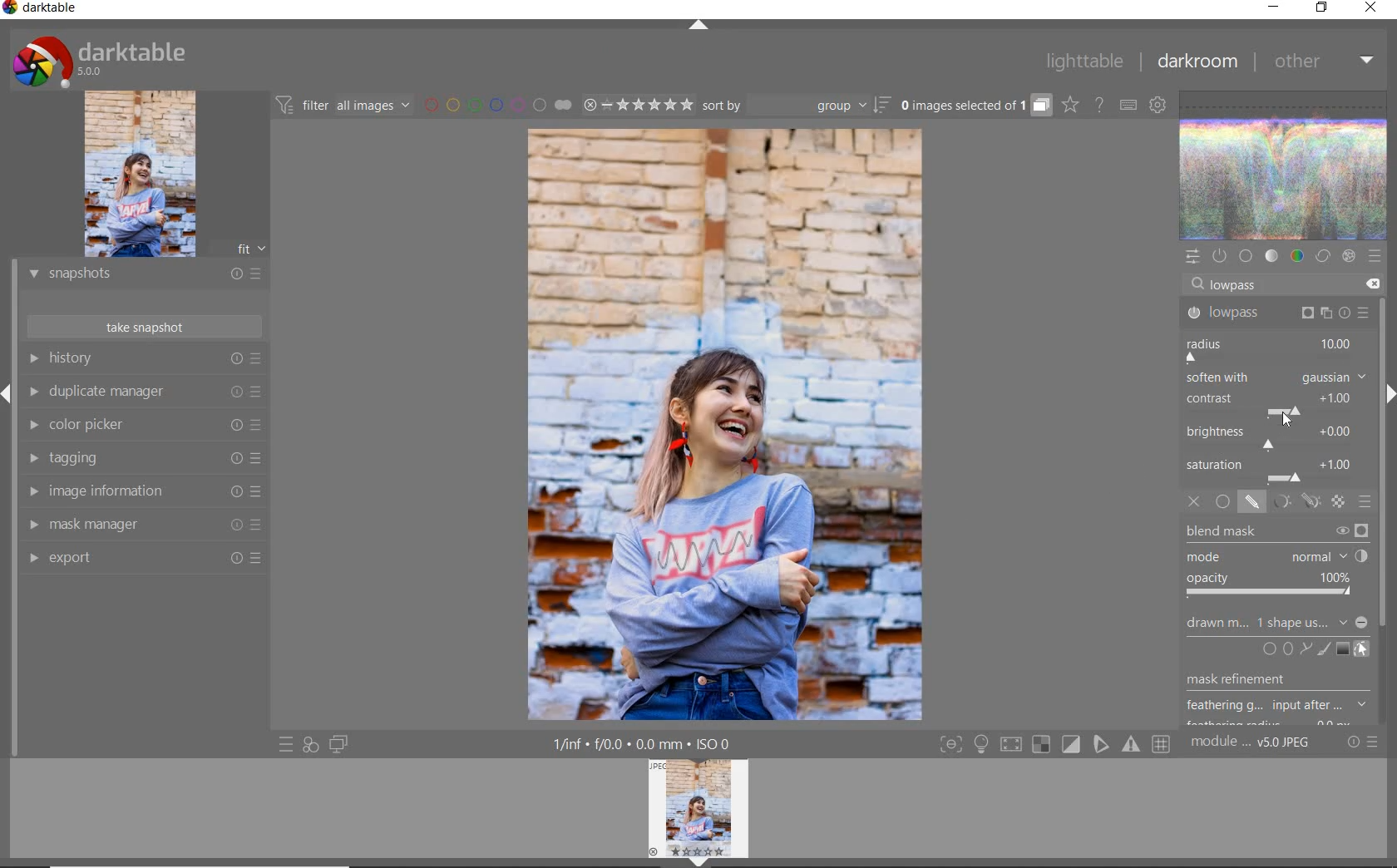 This screenshot has height=868, width=1397. I want to click on darkroom, so click(1197, 62).